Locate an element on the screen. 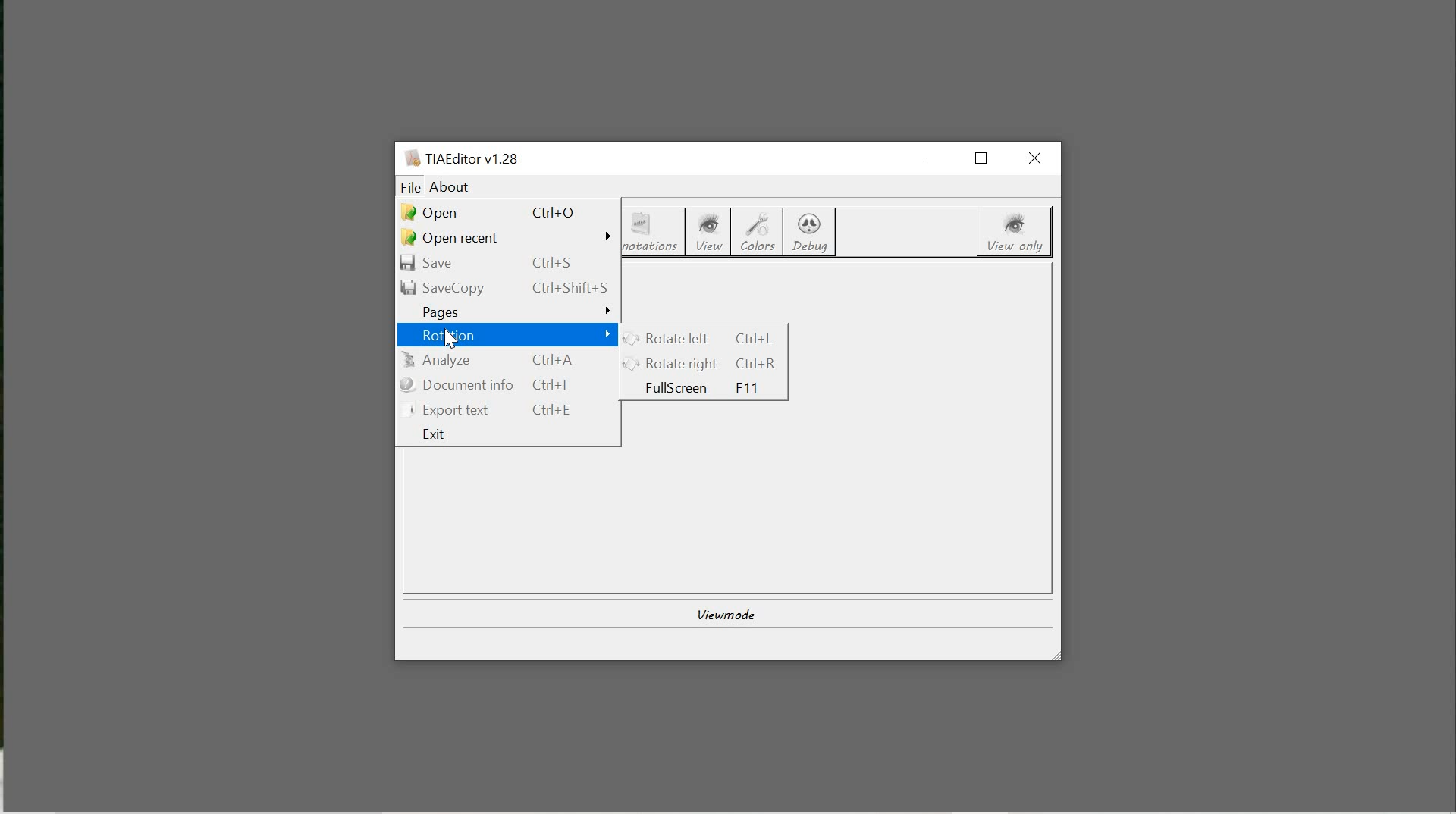 The width and height of the screenshot is (1456, 814). restore down is located at coordinates (986, 158).